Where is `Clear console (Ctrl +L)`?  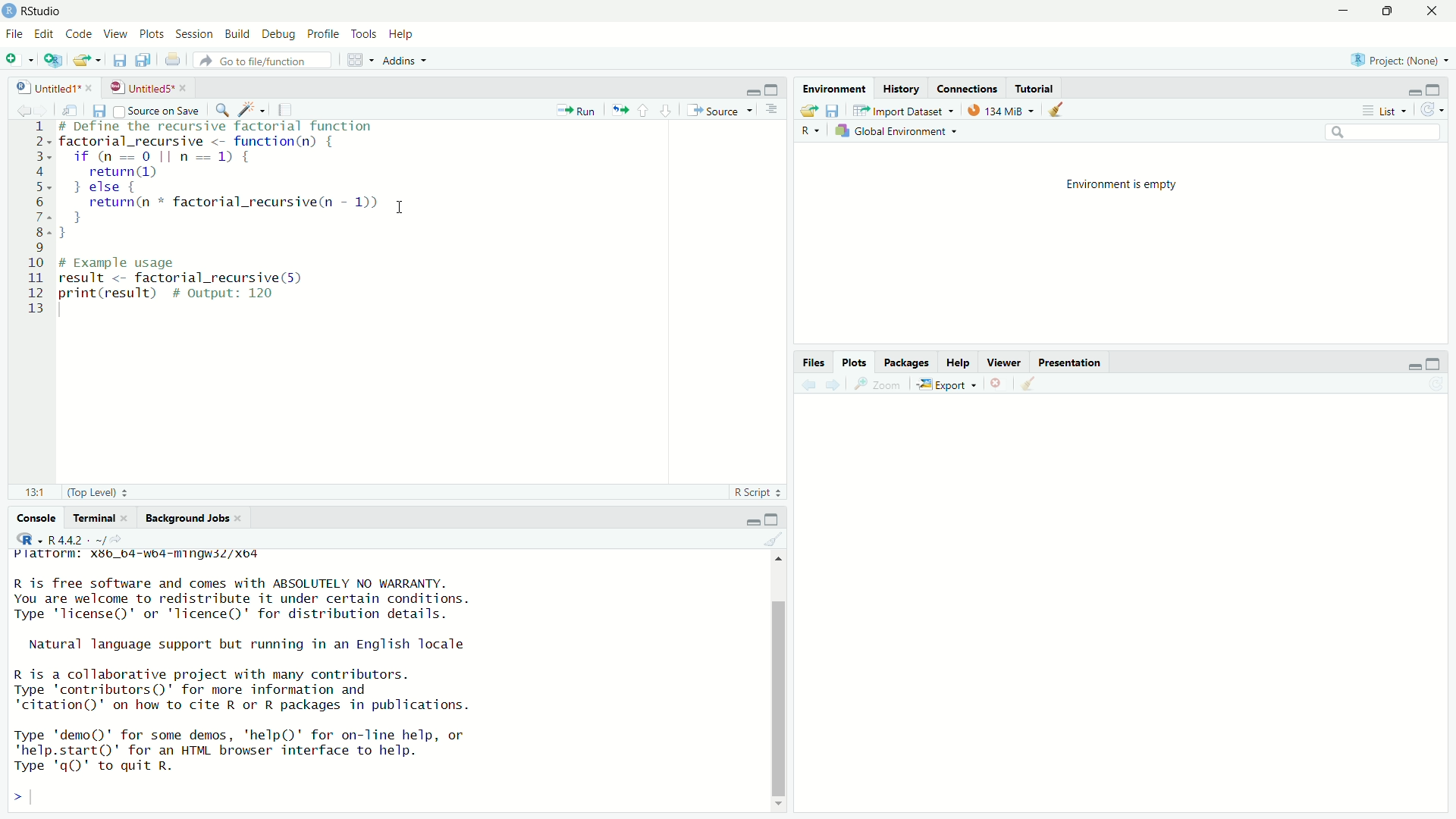 Clear console (Ctrl +L) is located at coordinates (1032, 381).